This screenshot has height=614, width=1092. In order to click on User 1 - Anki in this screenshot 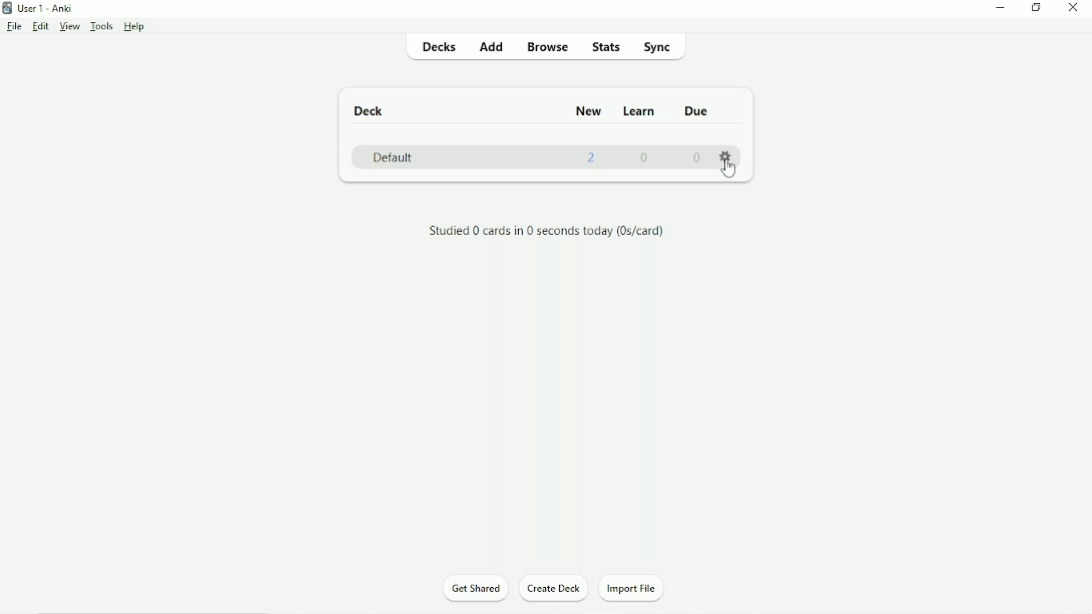, I will do `click(44, 8)`.